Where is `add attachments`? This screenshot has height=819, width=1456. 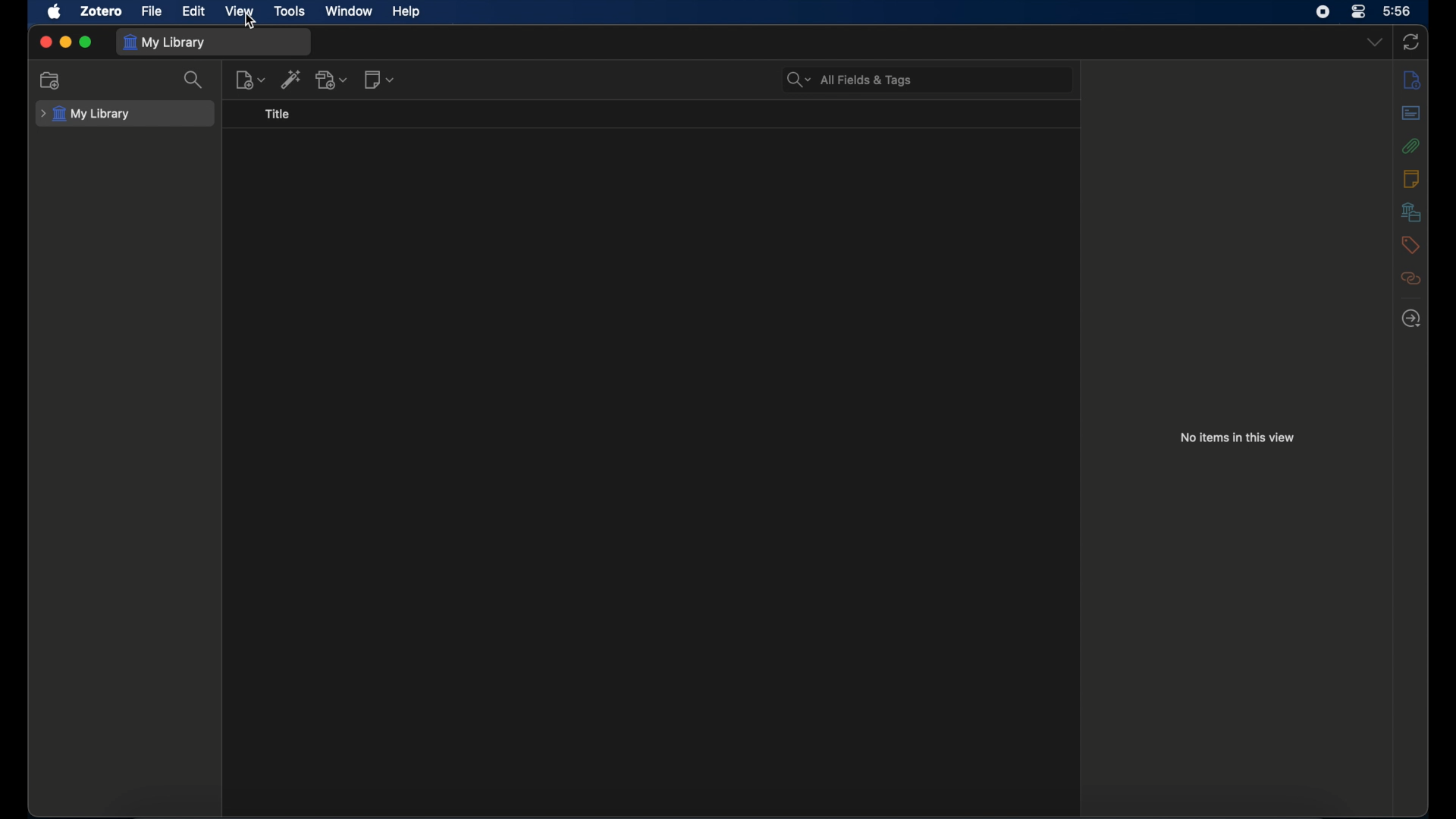 add attachments is located at coordinates (332, 79).